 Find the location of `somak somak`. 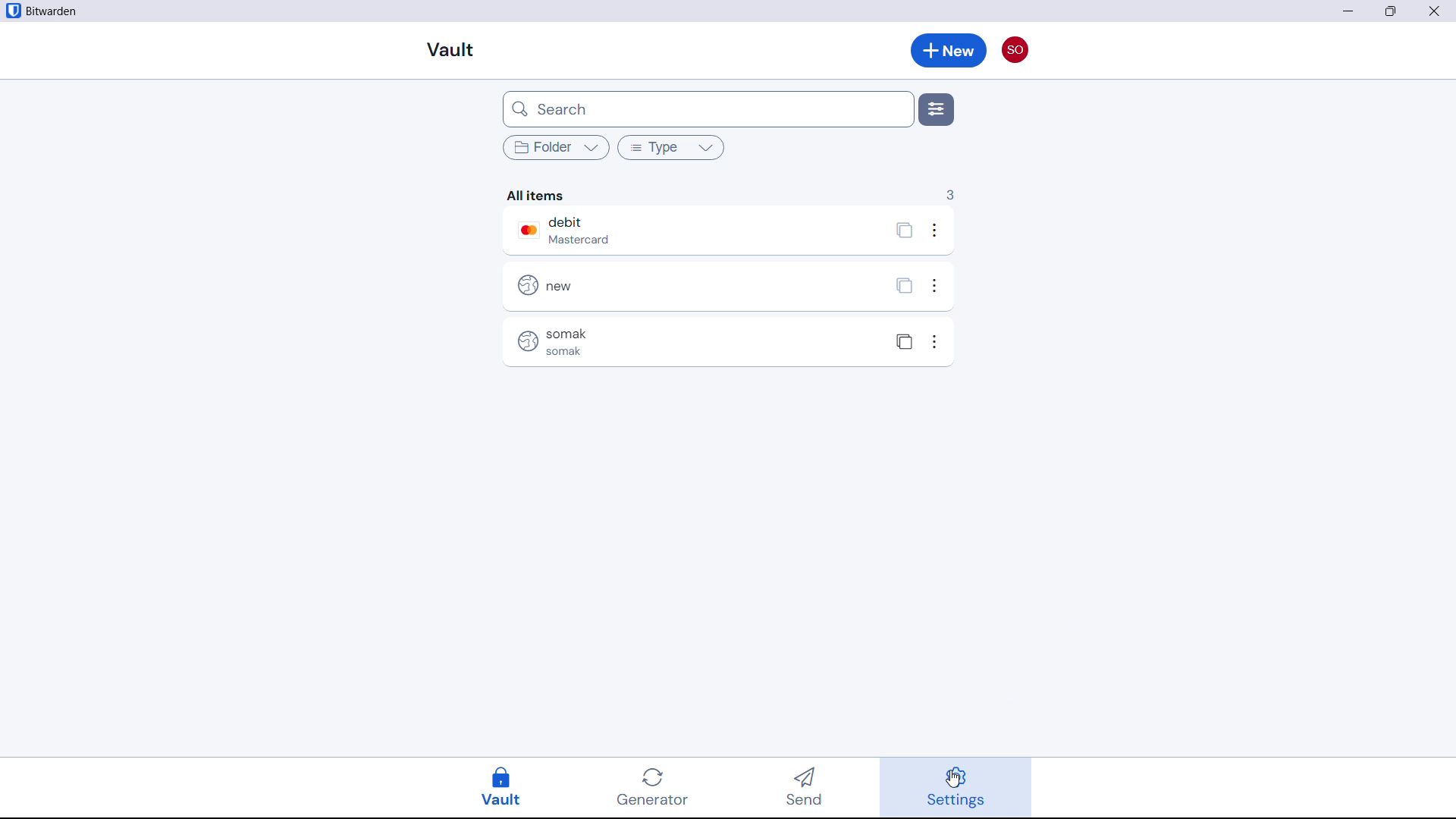

somak somak is located at coordinates (643, 341).